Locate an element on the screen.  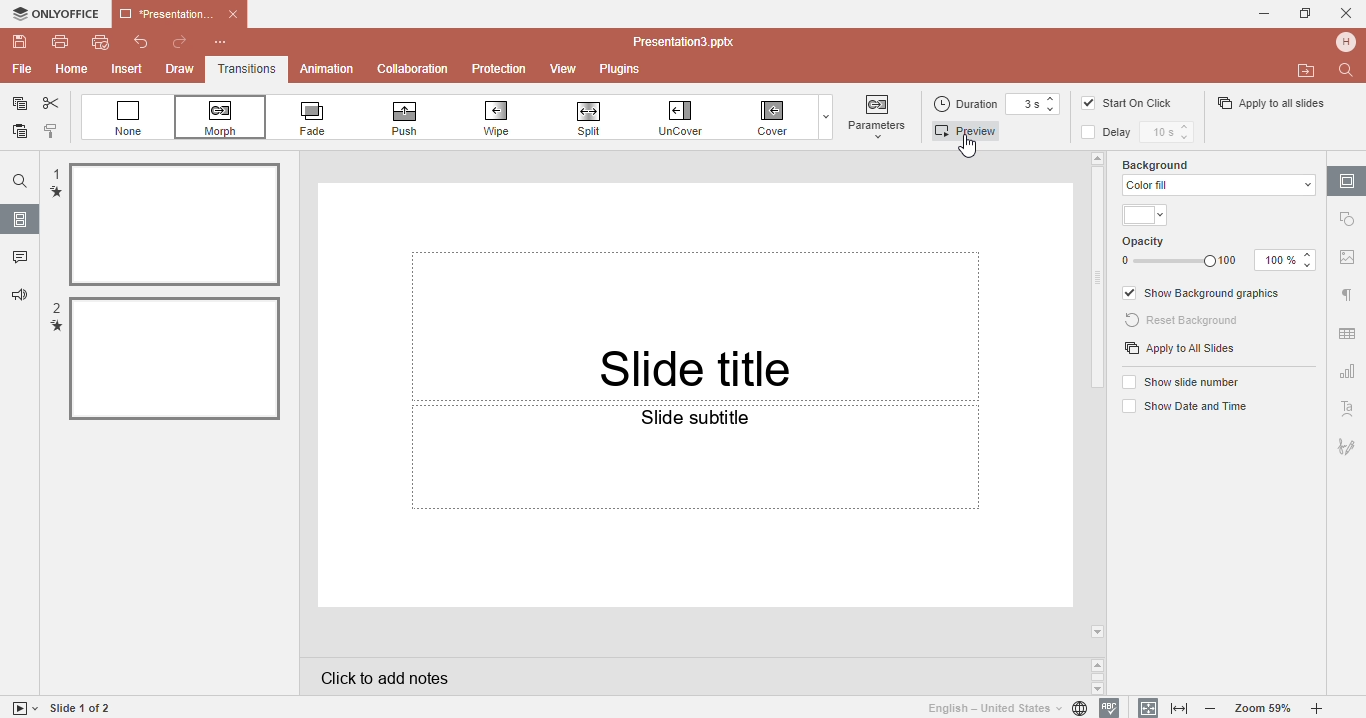
Copy is located at coordinates (16, 104).